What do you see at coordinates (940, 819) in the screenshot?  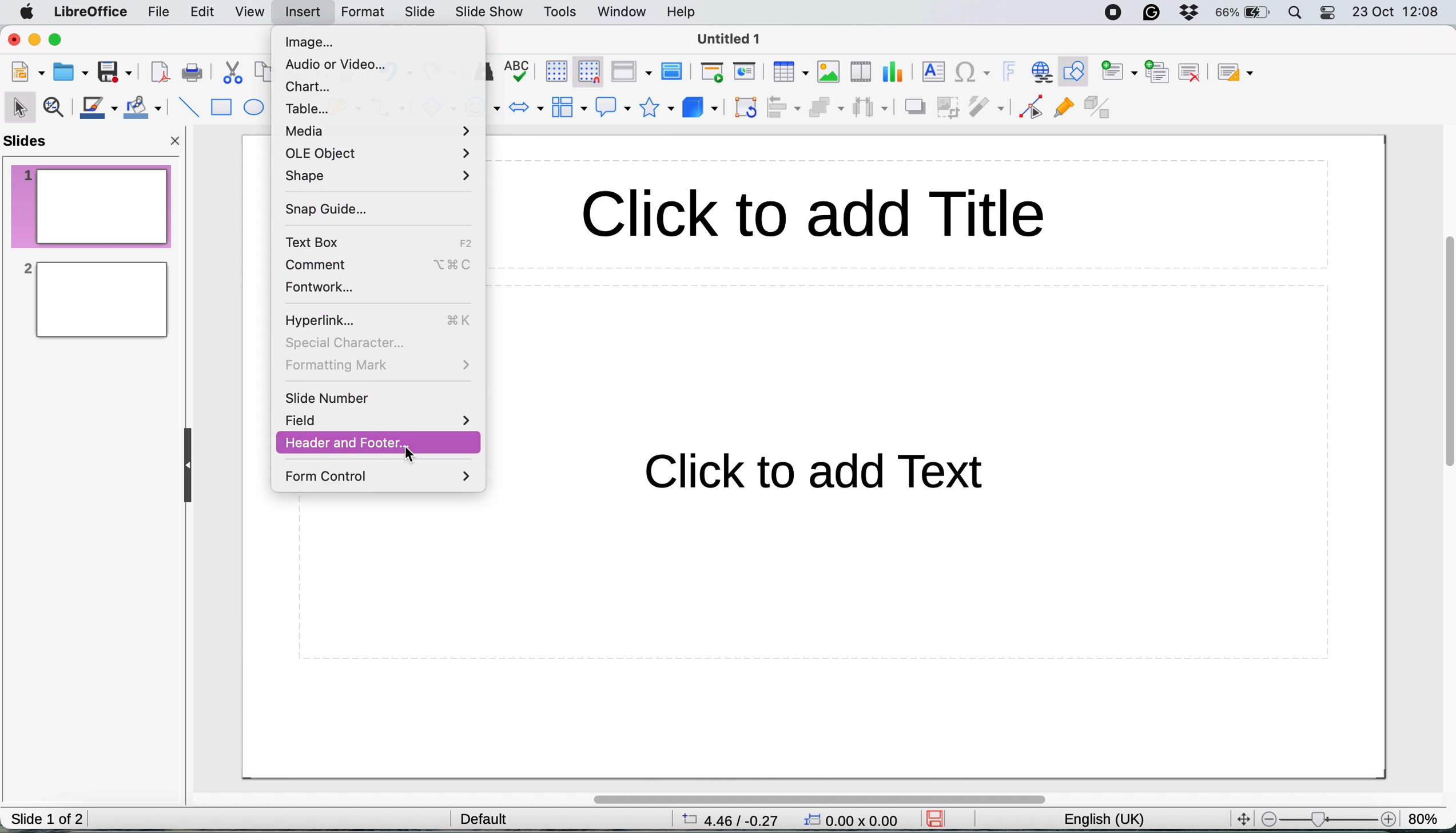 I see `save` at bounding box center [940, 819].